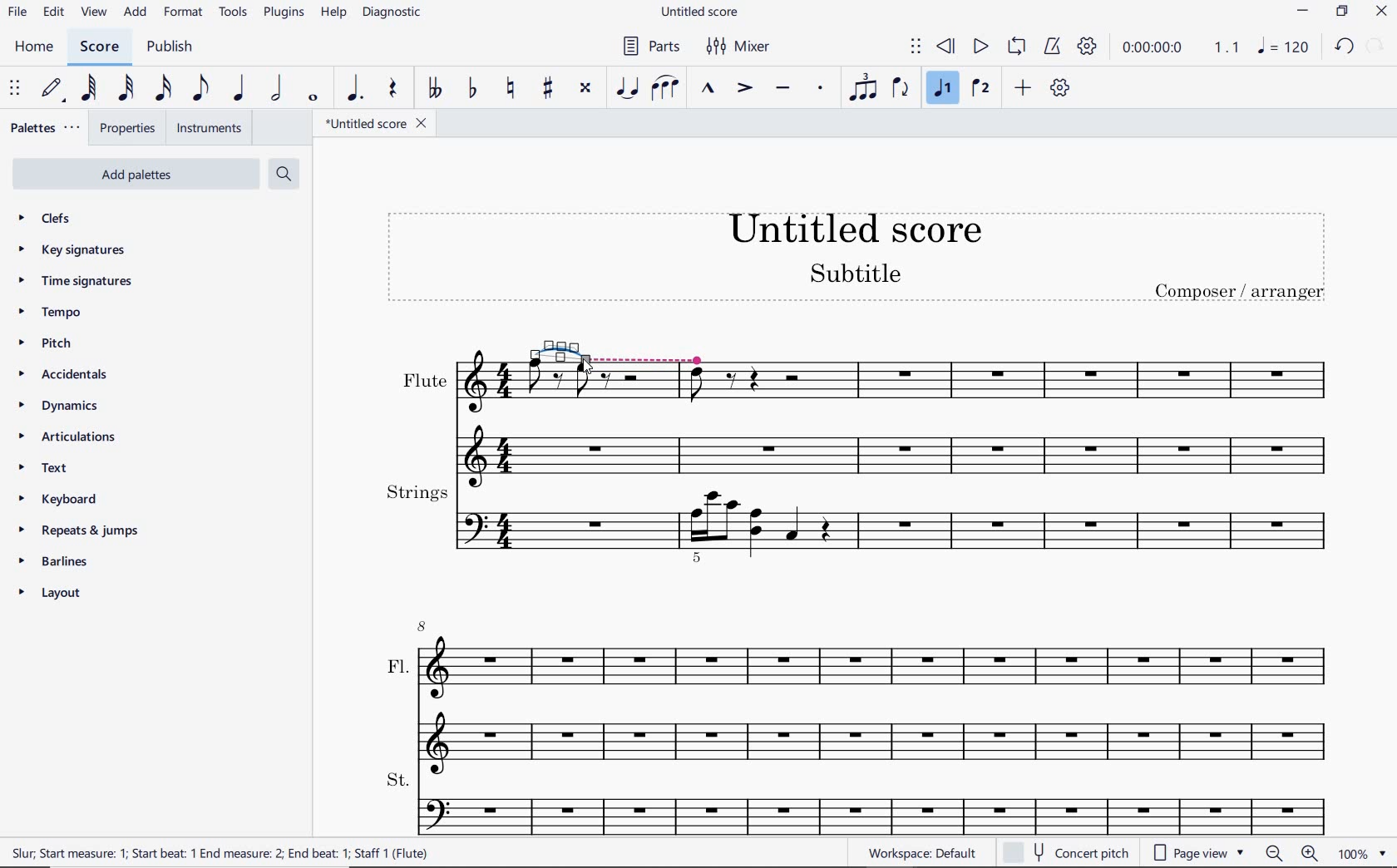  What do you see at coordinates (93, 12) in the screenshot?
I see `view` at bounding box center [93, 12].